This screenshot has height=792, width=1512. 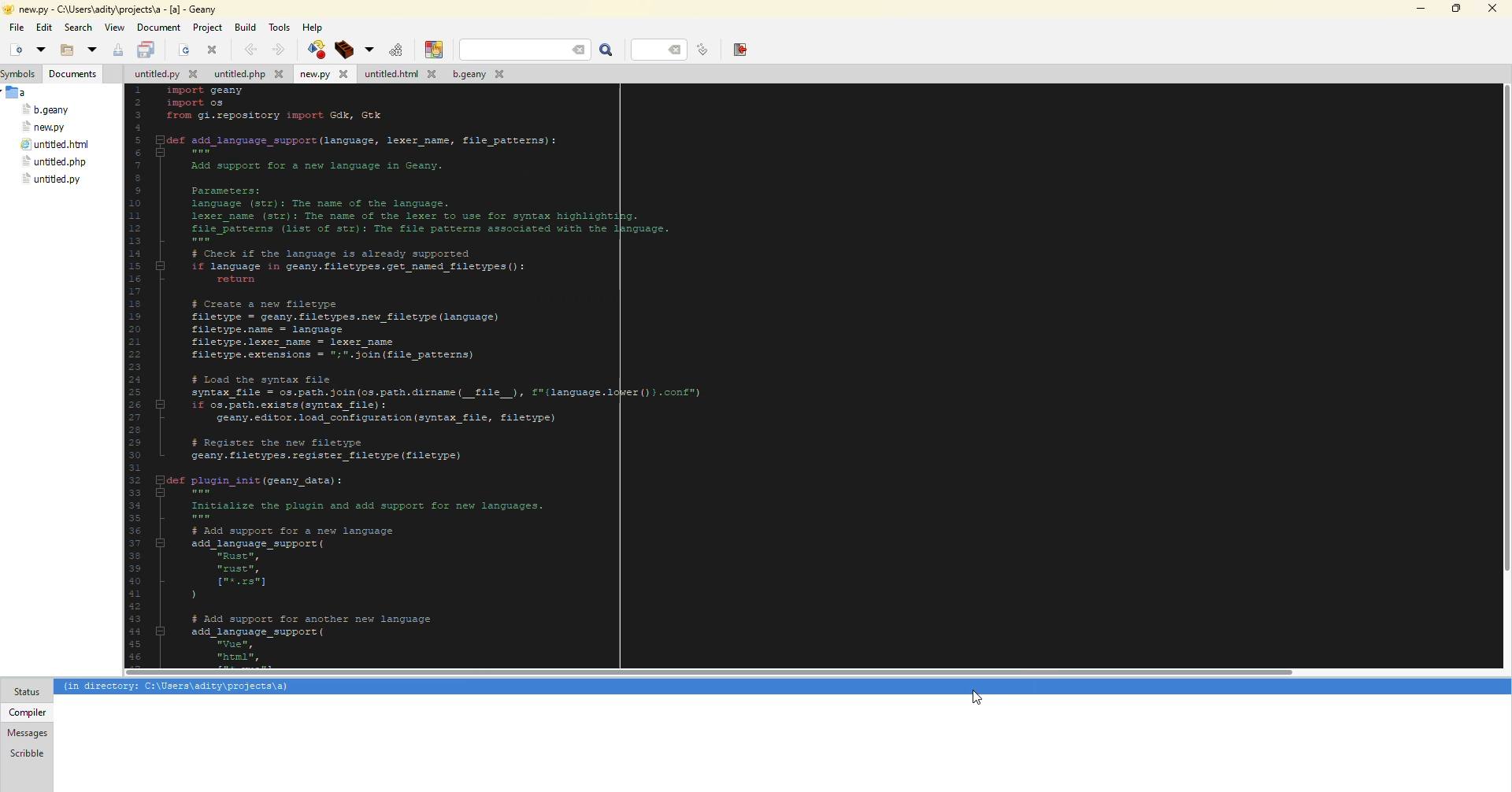 I want to click on exit, so click(x=739, y=49).